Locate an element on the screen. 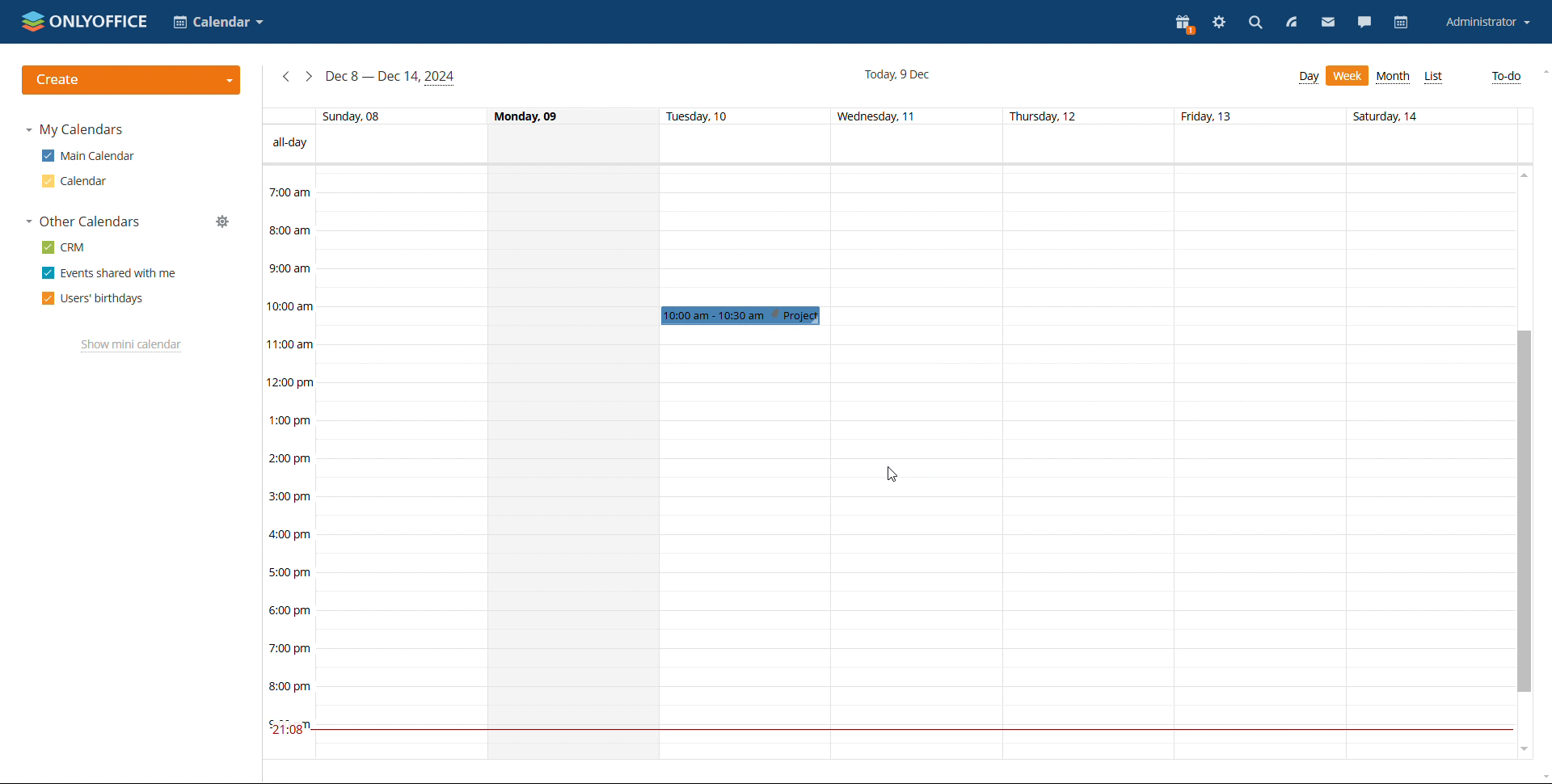  scroll up is located at coordinates (1522, 174).